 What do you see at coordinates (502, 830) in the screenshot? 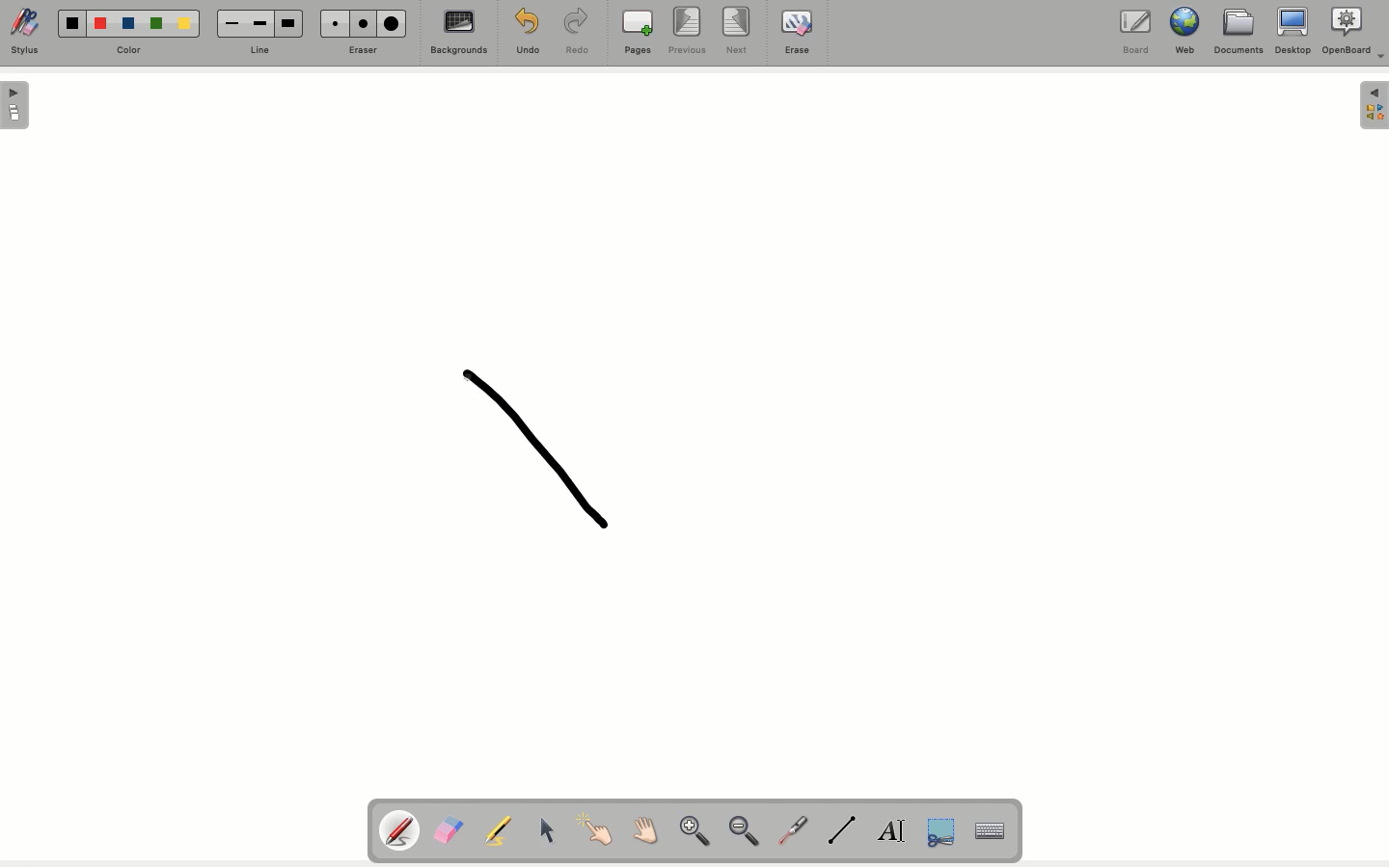
I see `Highlighter` at bounding box center [502, 830].